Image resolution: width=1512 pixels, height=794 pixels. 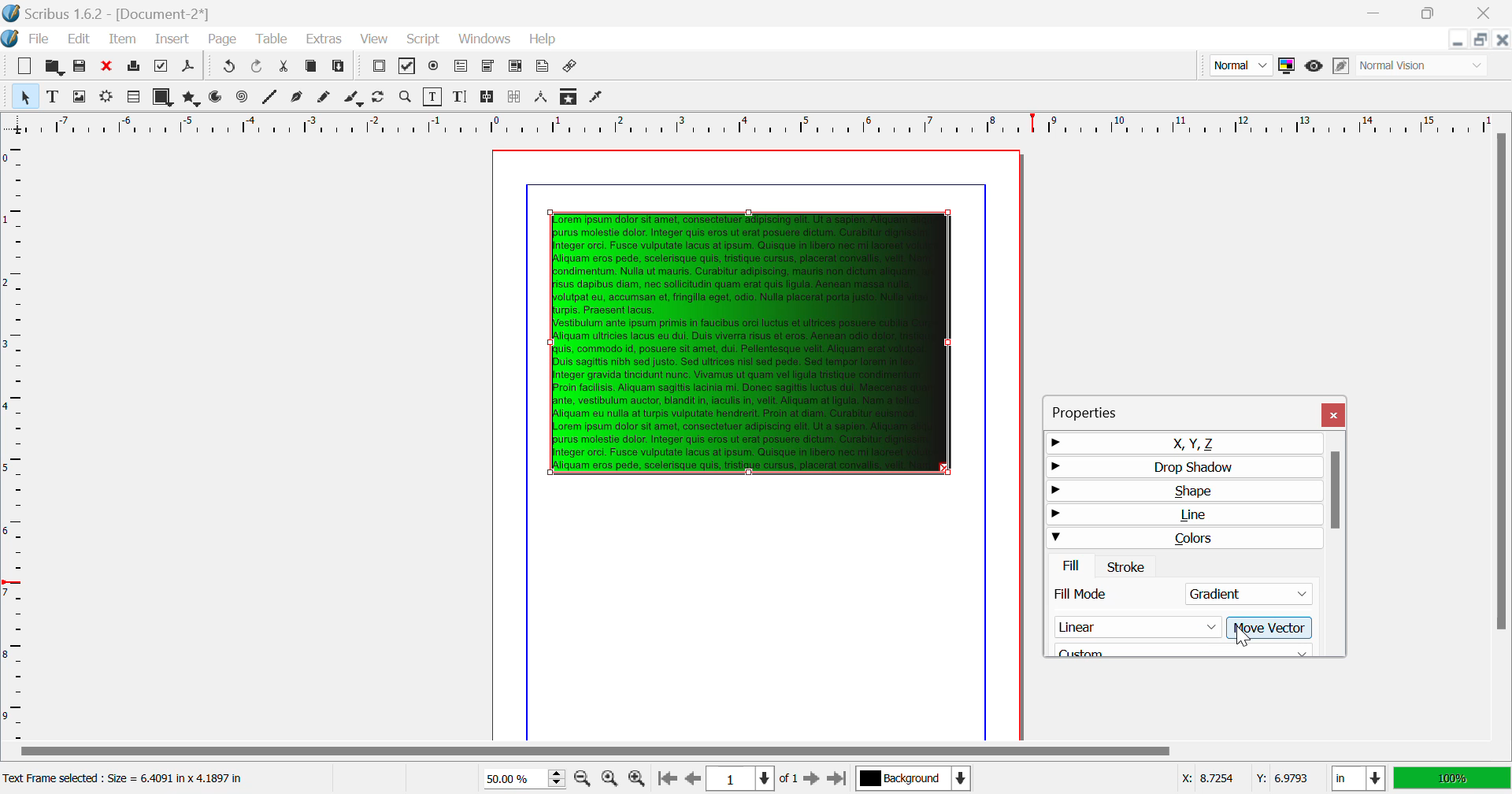 I want to click on Undo, so click(x=259, y=68).